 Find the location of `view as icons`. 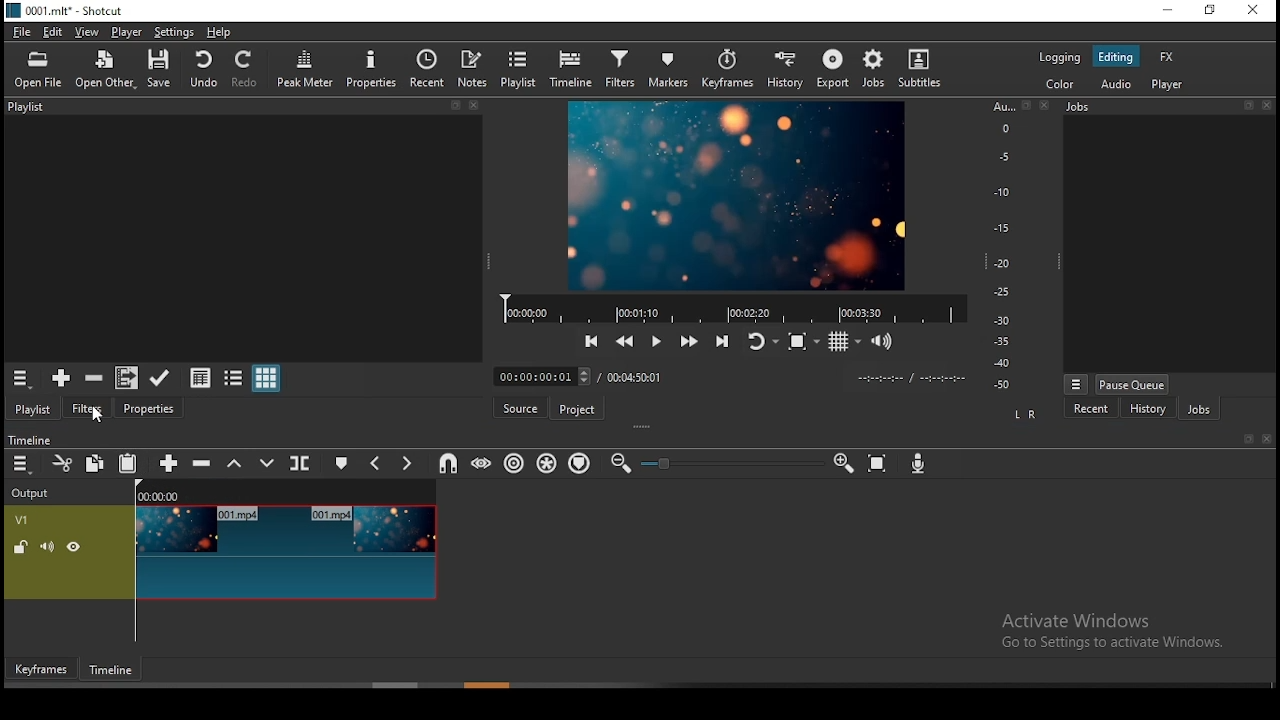

view as icons is located at coordinates (267, 378).